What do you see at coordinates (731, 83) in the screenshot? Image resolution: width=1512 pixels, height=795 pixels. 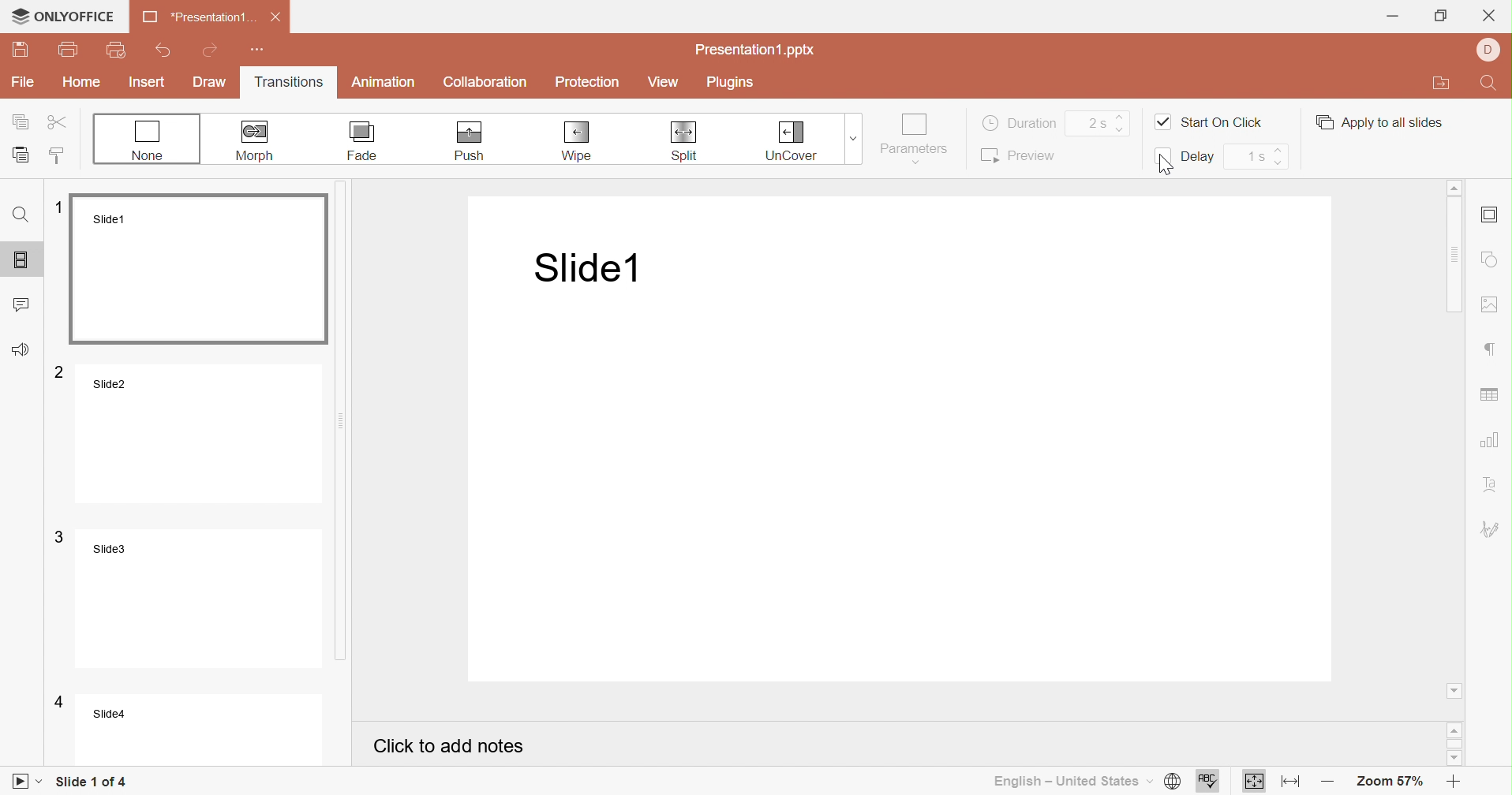 I see `Plugins` at bounding box center [731, 83].